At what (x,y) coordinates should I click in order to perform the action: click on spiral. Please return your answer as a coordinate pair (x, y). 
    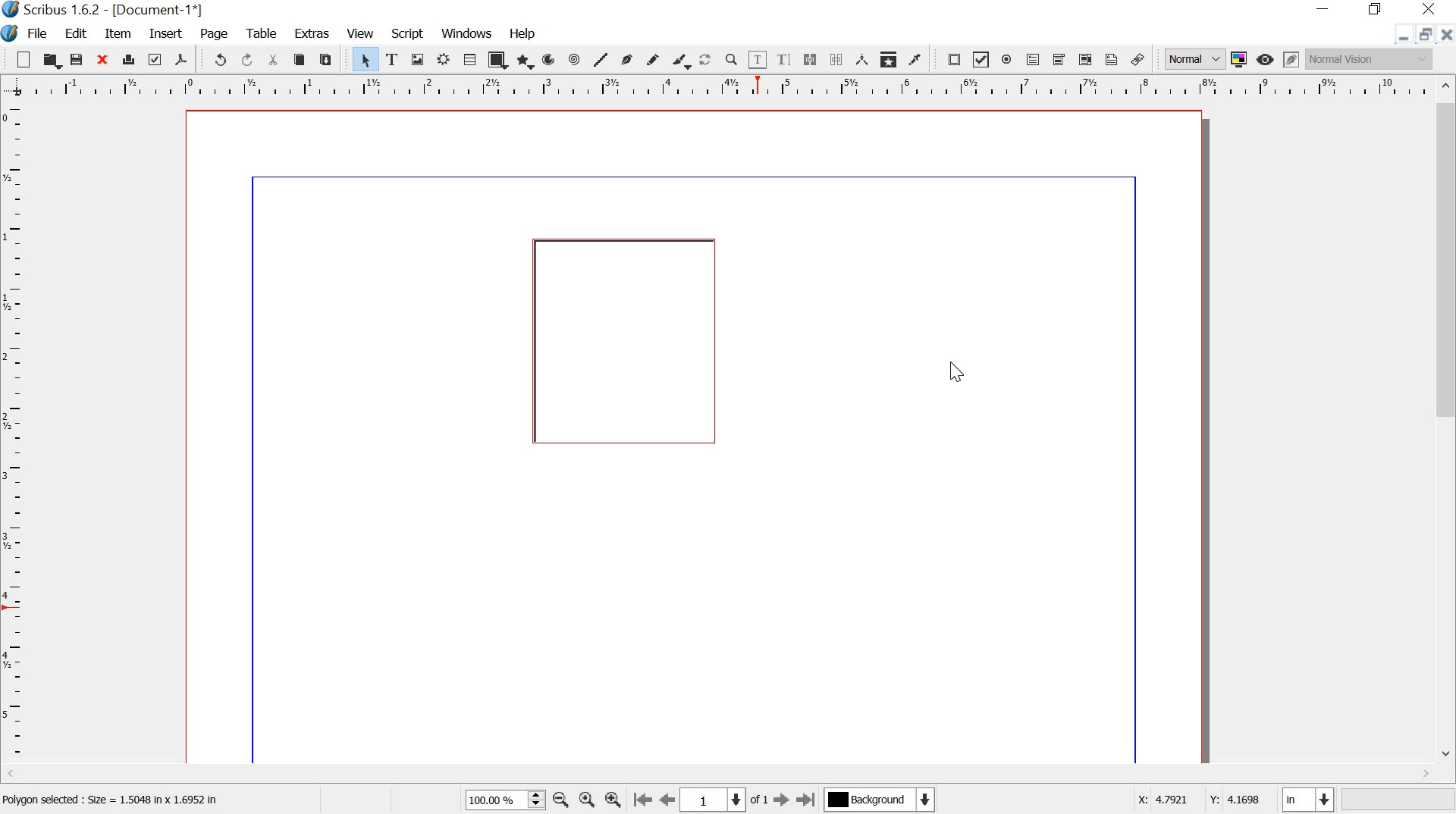
    Looking at the image, I should click on (577, 59).